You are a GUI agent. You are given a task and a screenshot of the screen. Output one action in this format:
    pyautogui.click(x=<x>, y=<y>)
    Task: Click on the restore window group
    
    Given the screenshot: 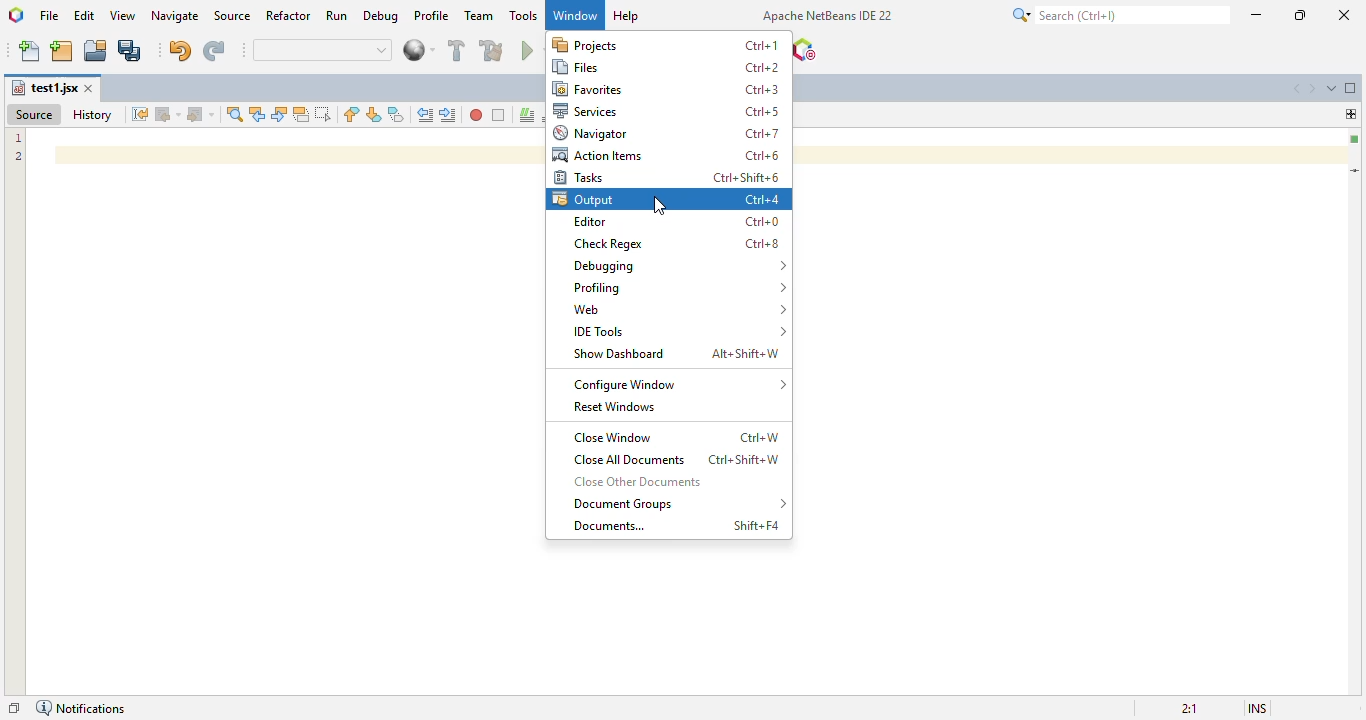 What is the action you would take?
    pyautogui.click(x=13, y=708)
    